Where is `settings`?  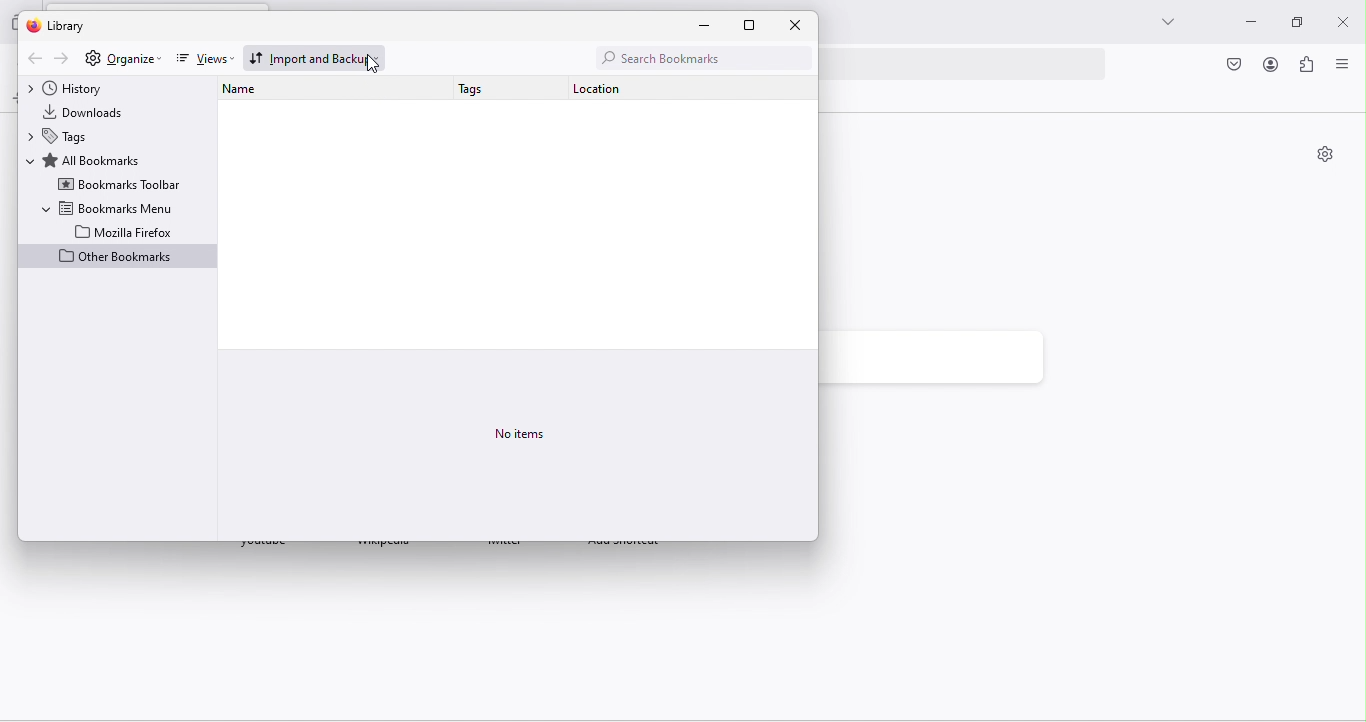
settings is located at coordinates (92, 59).